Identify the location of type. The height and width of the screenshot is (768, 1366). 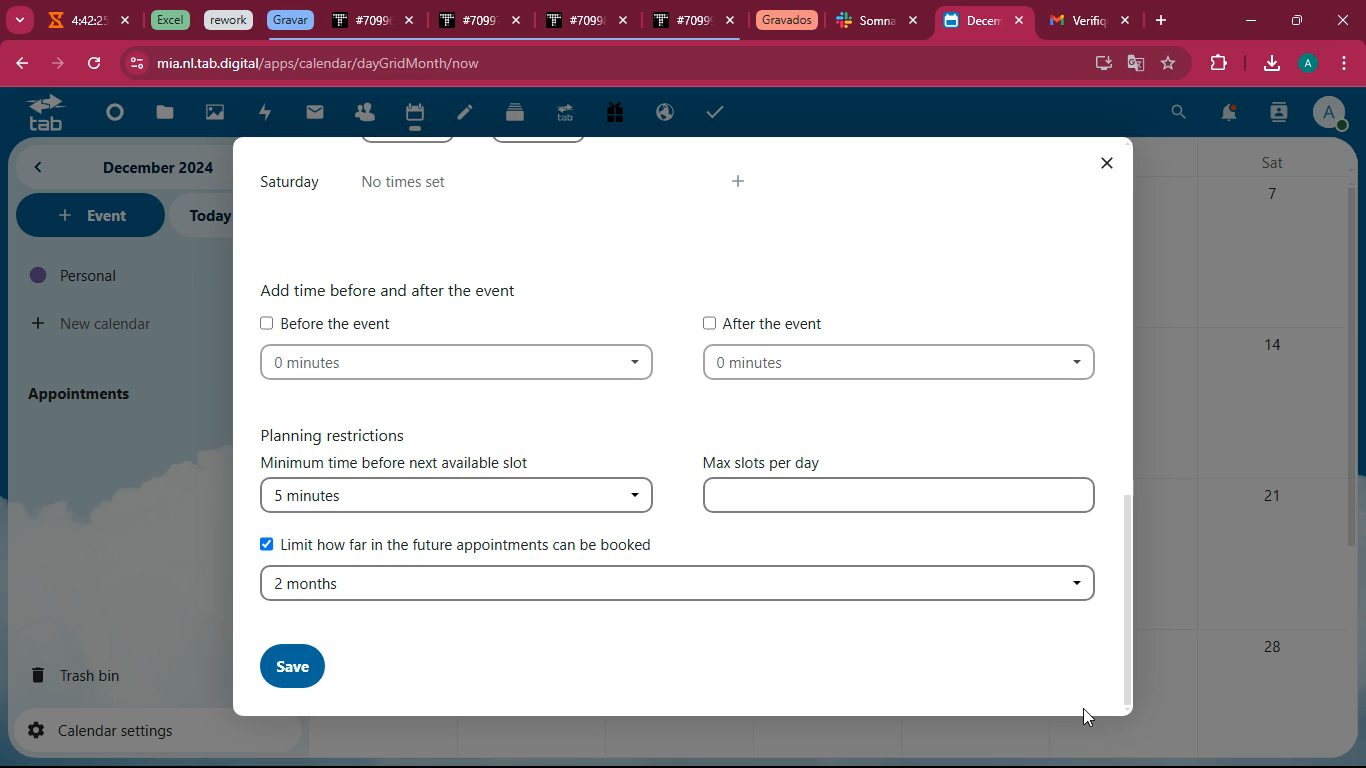
(903, 498).